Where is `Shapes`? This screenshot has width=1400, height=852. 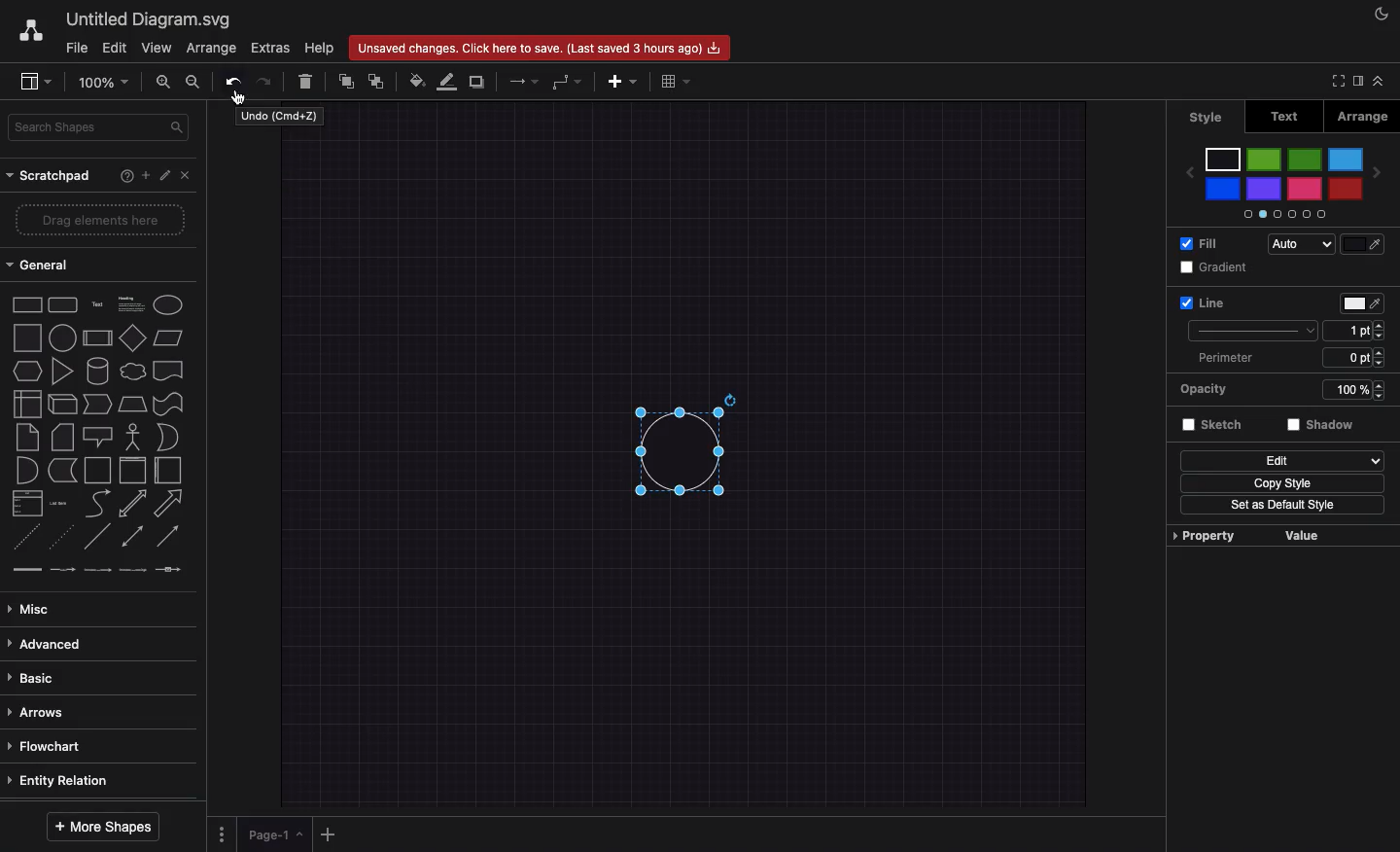
Shapes is located at coordinates (96, 439).